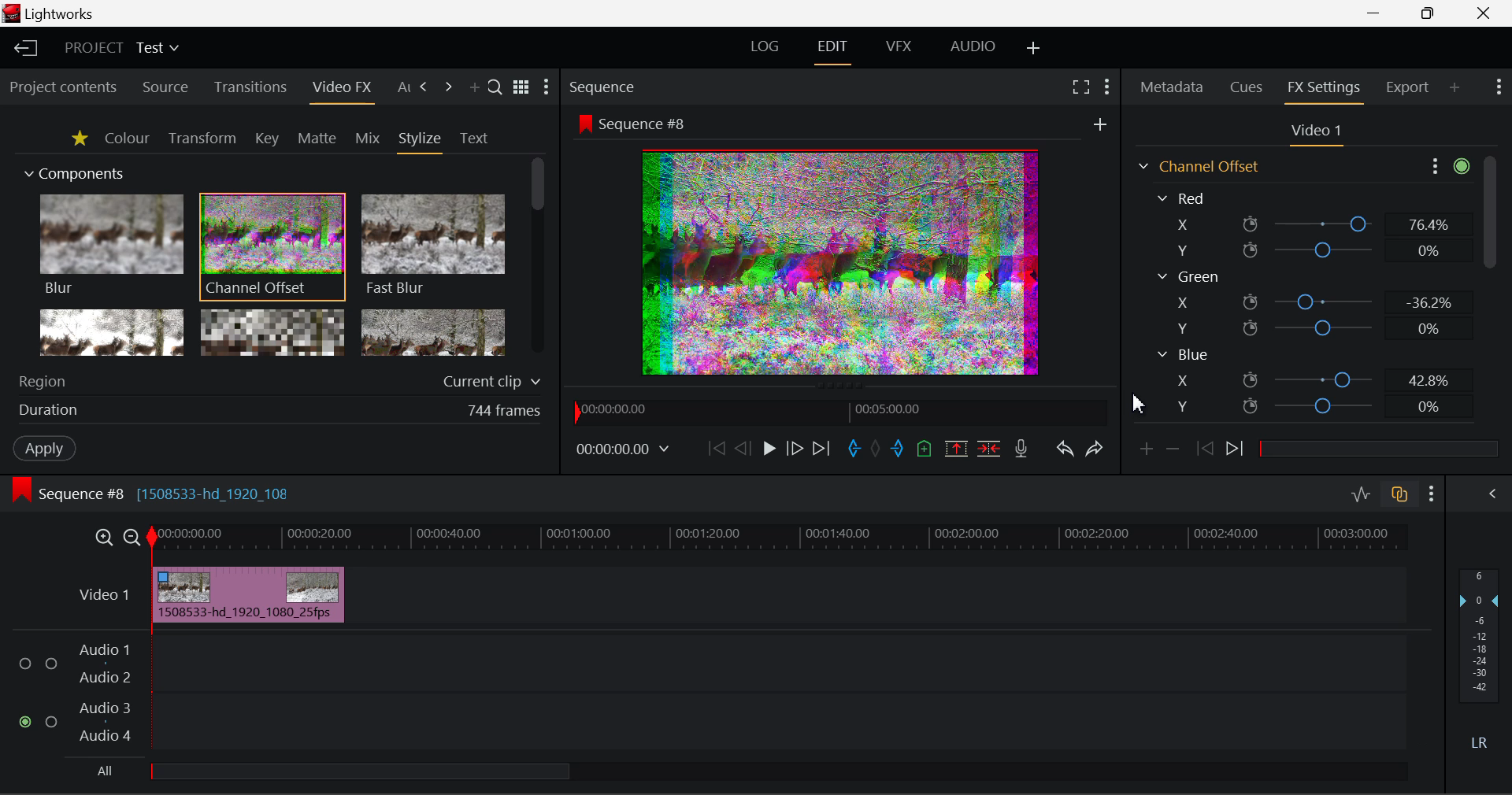 The height and width of the screenshot is (795, 1512). What do you see at coordinates (1408, 87) in the screenshot?
I see `Export` at bounding box center [1408, 87].